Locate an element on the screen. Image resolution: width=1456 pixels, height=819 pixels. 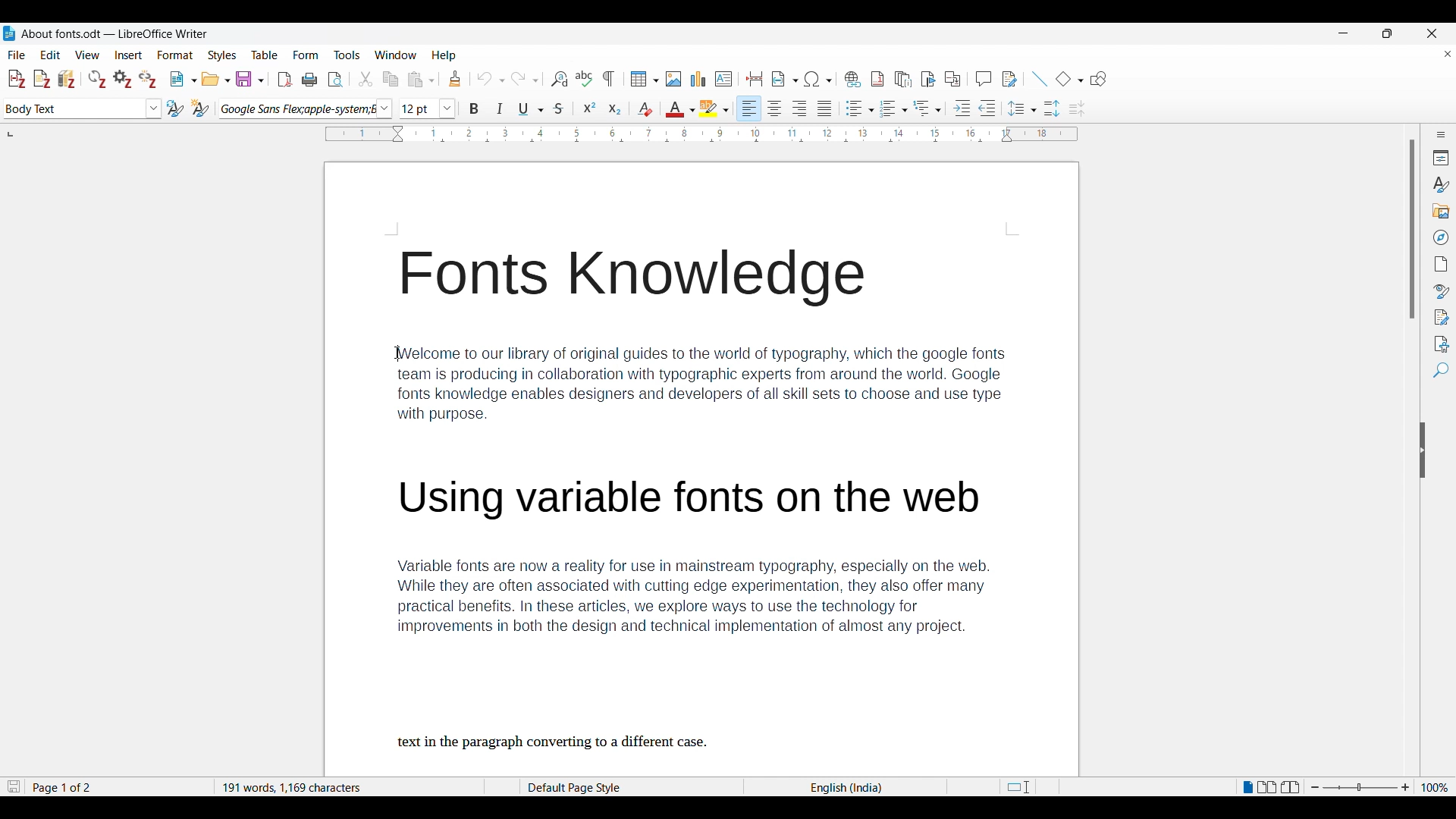
Cut is located at coordinates (366, 79).